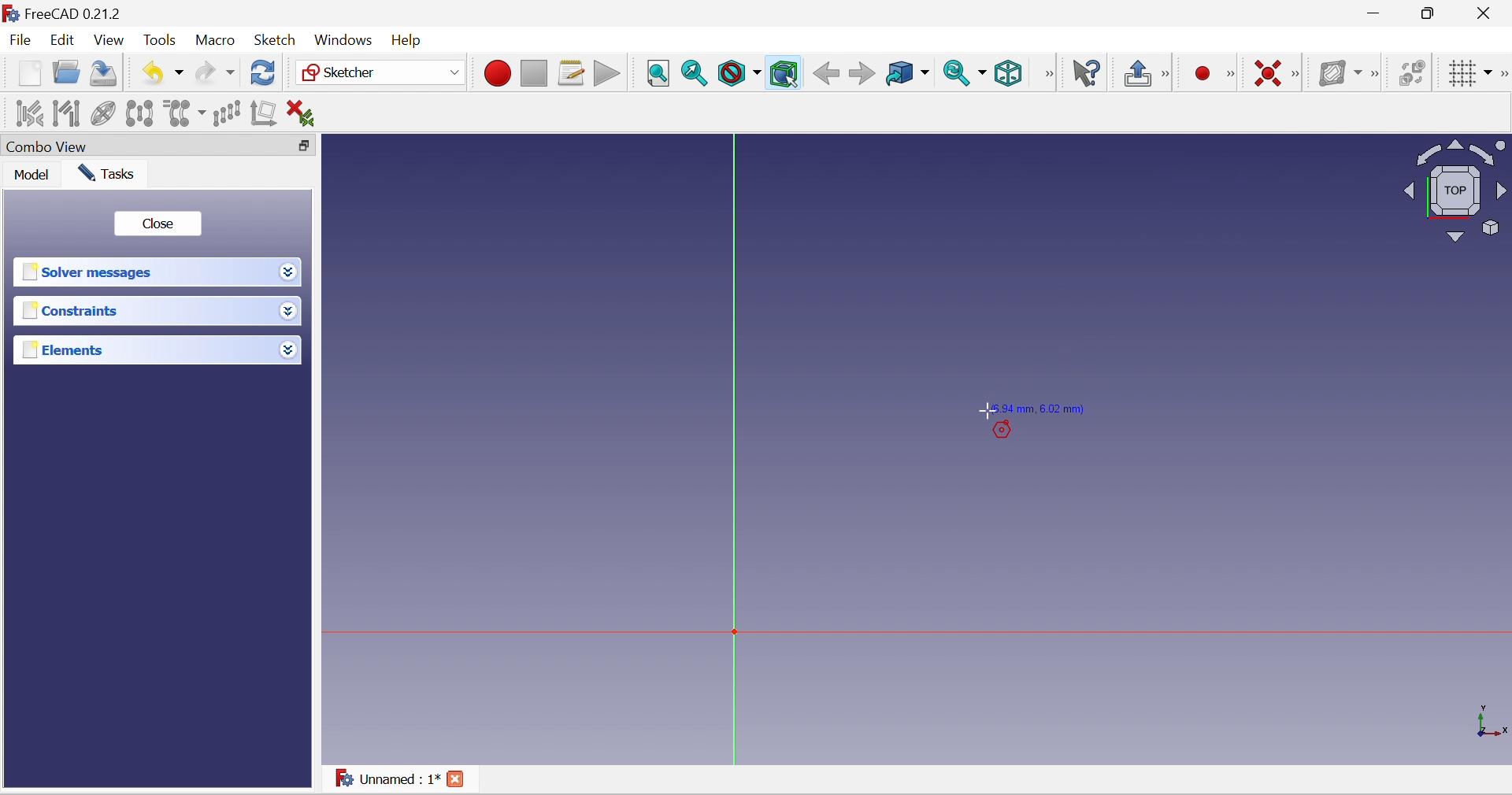 This screenshot has width=1512, height=795. I want to click on Viewing angle, so click(1455, 190).